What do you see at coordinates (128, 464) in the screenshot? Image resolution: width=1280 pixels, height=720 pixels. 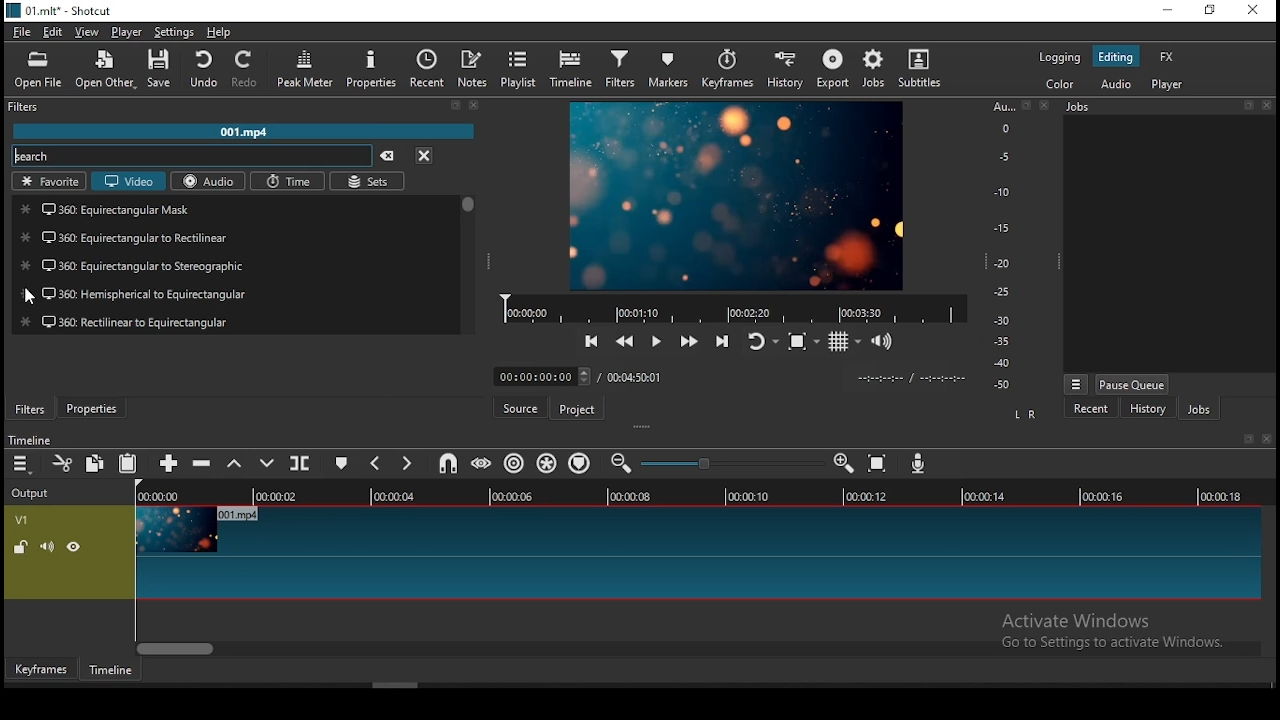 I see `paste` at bounding box center [128, 464].